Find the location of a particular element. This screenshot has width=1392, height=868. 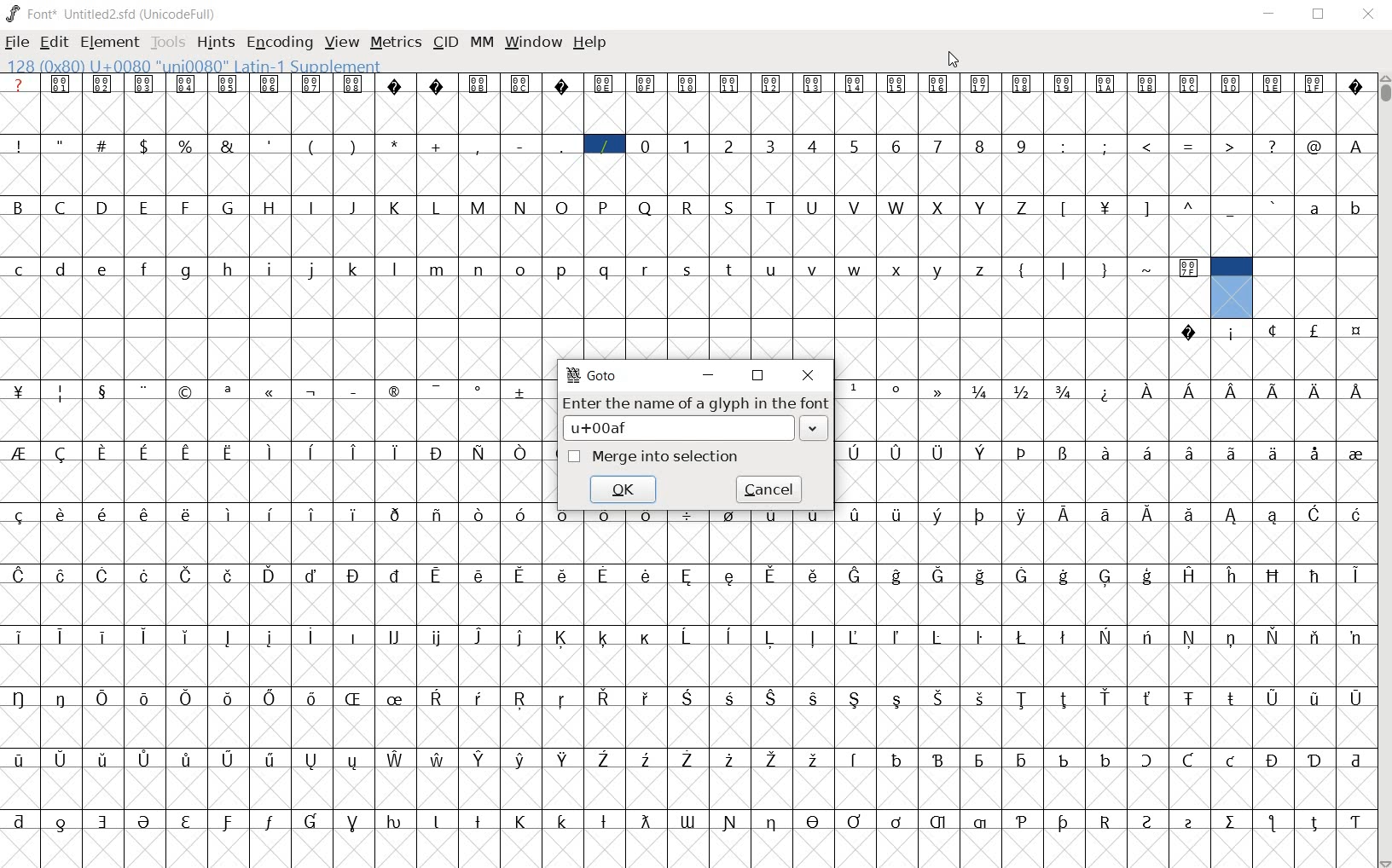

Symbol is located at coordinates (148, 390).